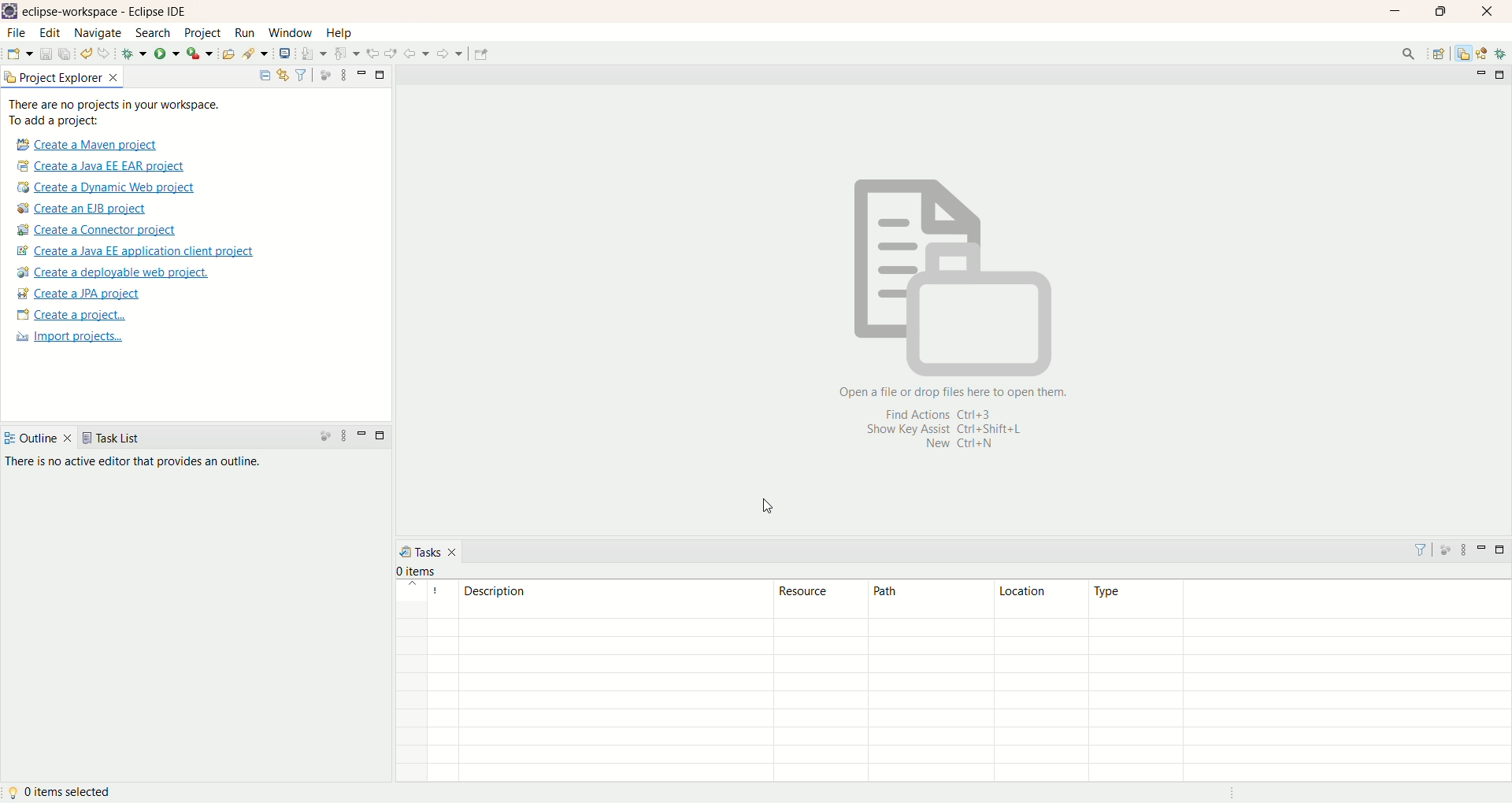 The height and width of the screenshot is (803, 1512). Describe the element at coordinates (313, 52) in the screenshot. I see `next annotation` at that location.